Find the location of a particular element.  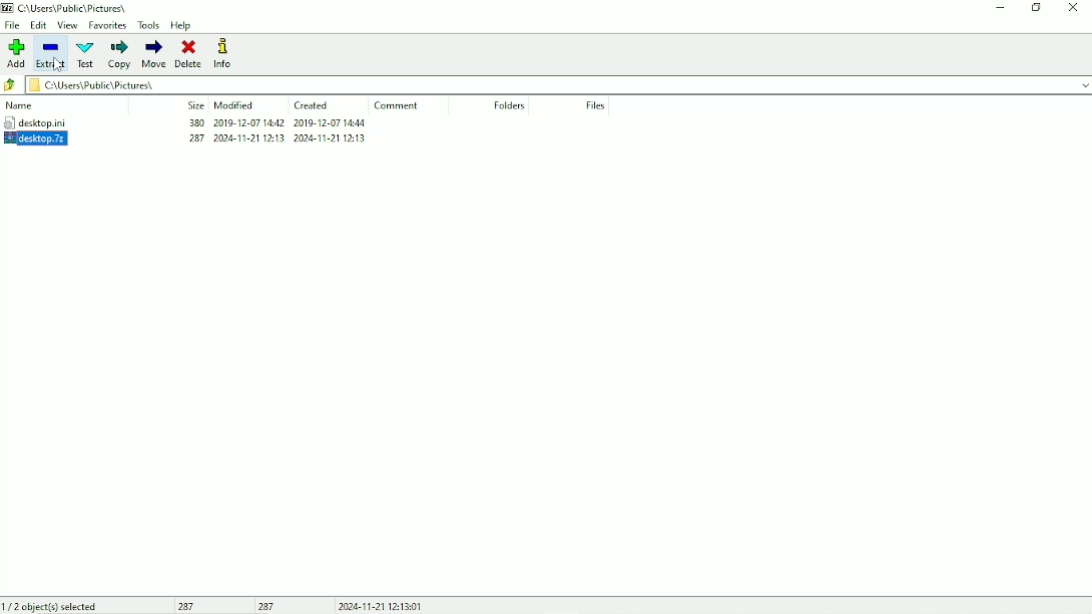

c/Users\Publc\ Pictures is located at coordinates (79, 8).